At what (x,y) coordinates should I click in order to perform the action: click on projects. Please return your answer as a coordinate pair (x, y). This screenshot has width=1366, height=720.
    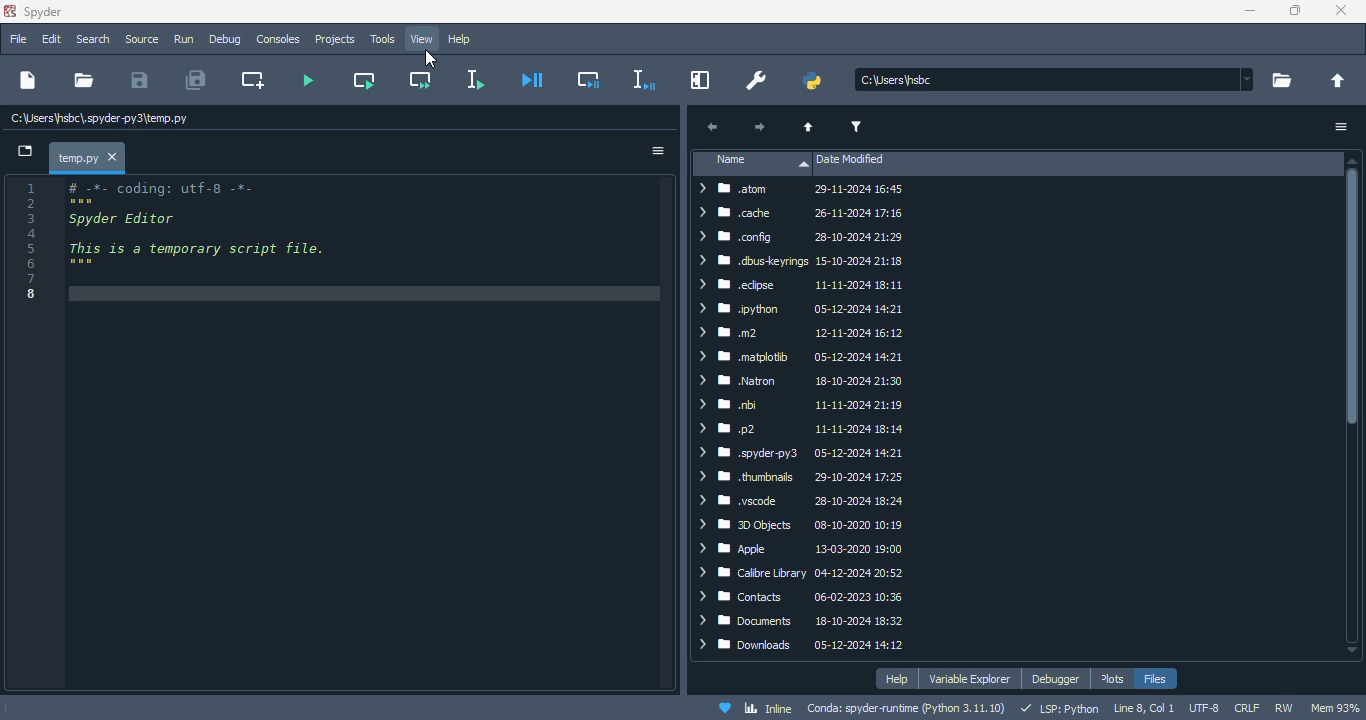
    Looking at the image, I should click on (335, 39).